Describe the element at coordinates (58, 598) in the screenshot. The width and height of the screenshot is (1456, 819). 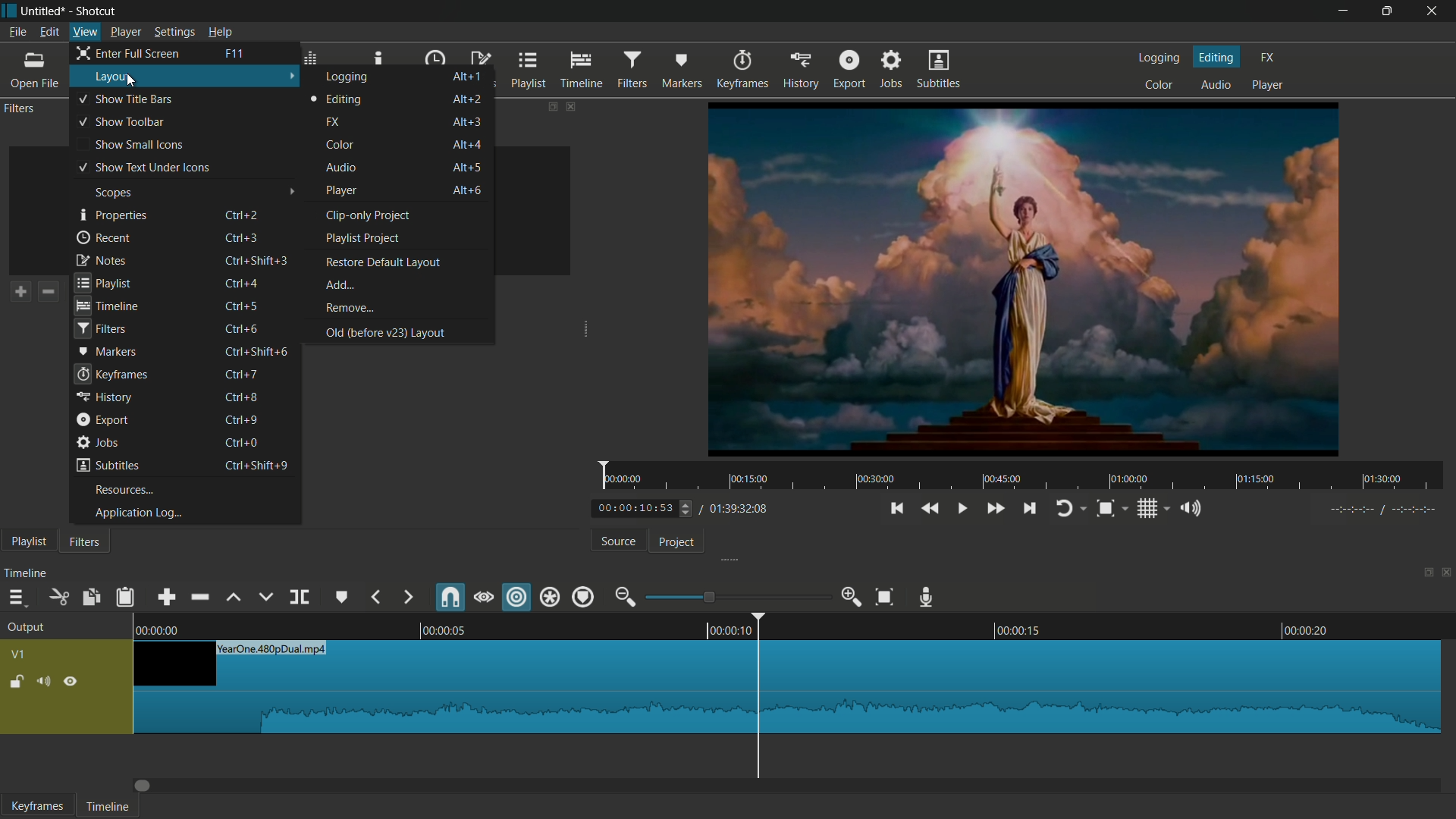
I see `cut` at that location.